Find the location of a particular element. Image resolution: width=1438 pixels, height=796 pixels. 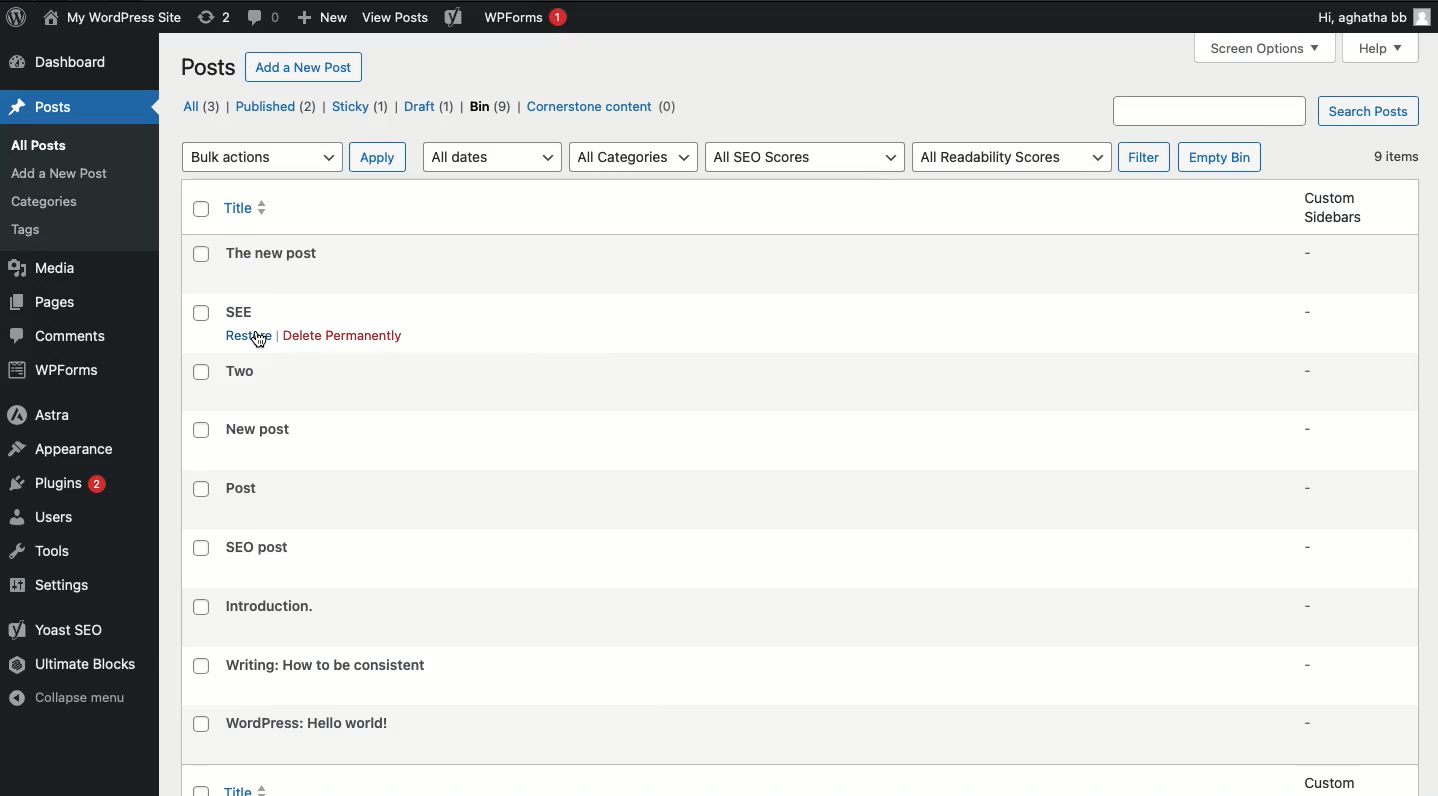

Checkbox is located at coordinates (201, 548).